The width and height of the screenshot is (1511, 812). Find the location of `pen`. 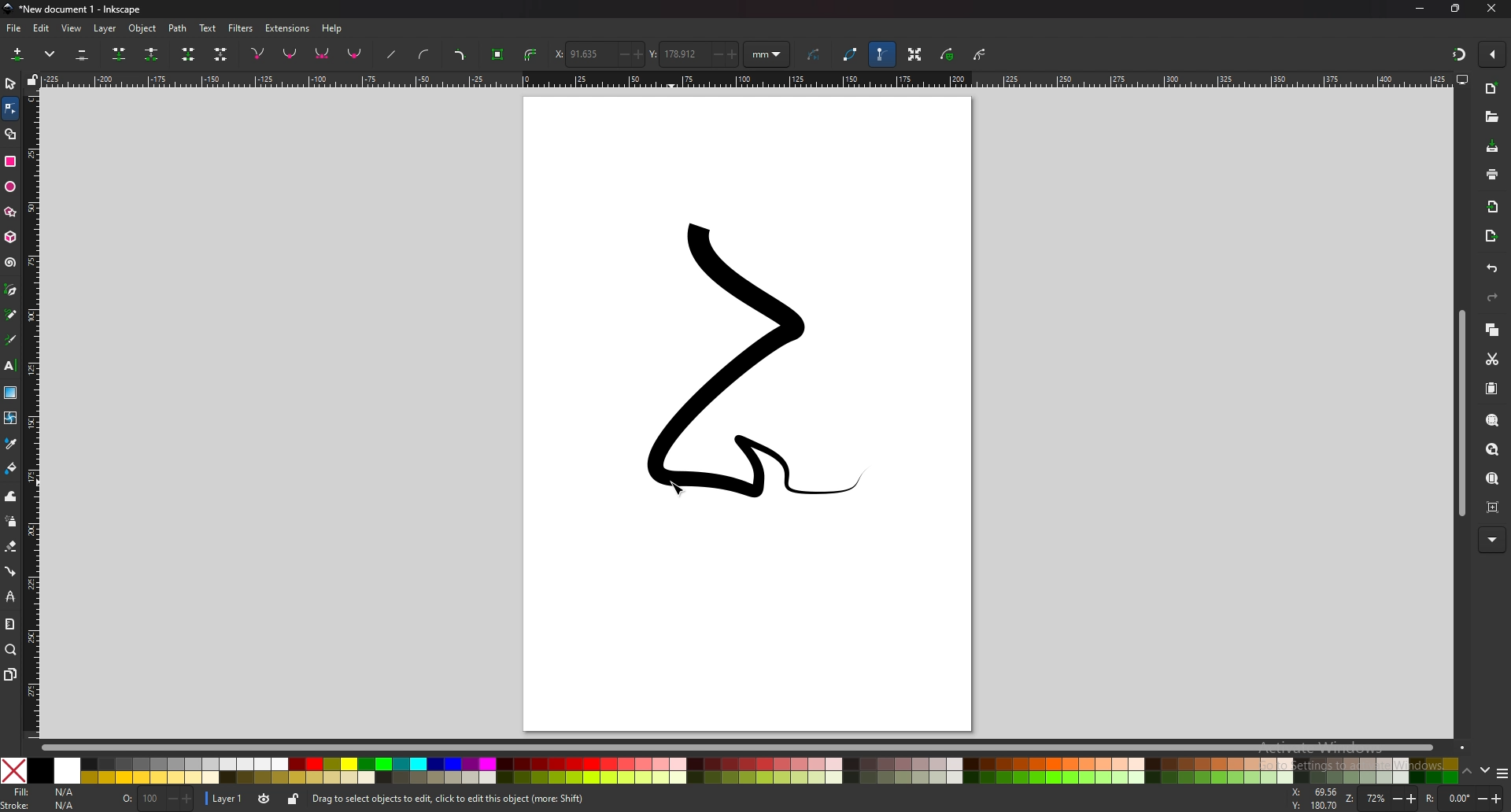

pen is located at coordinates (12, 289).